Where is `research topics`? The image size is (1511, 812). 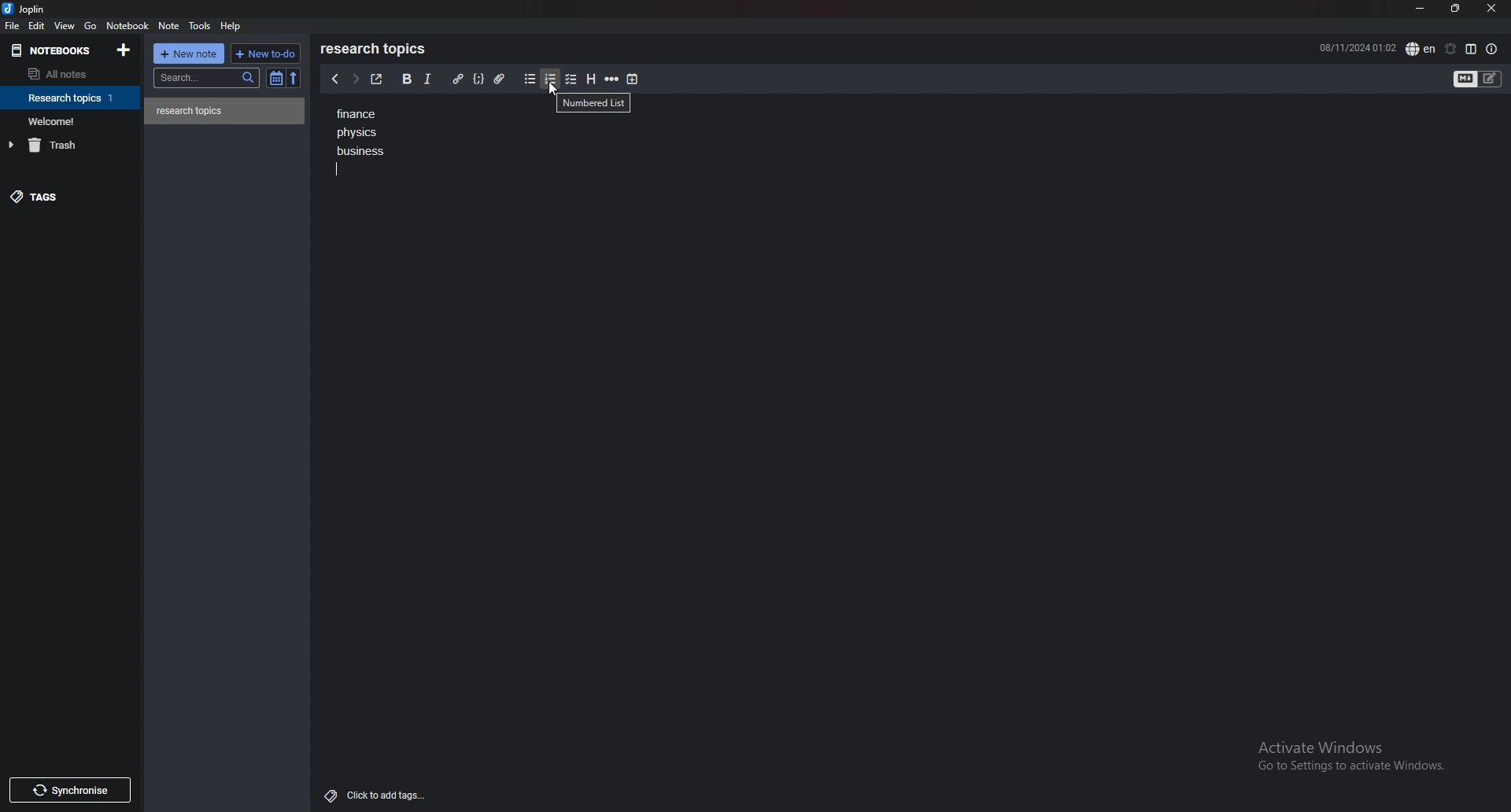 research topics is located at coordinates (376, 49).